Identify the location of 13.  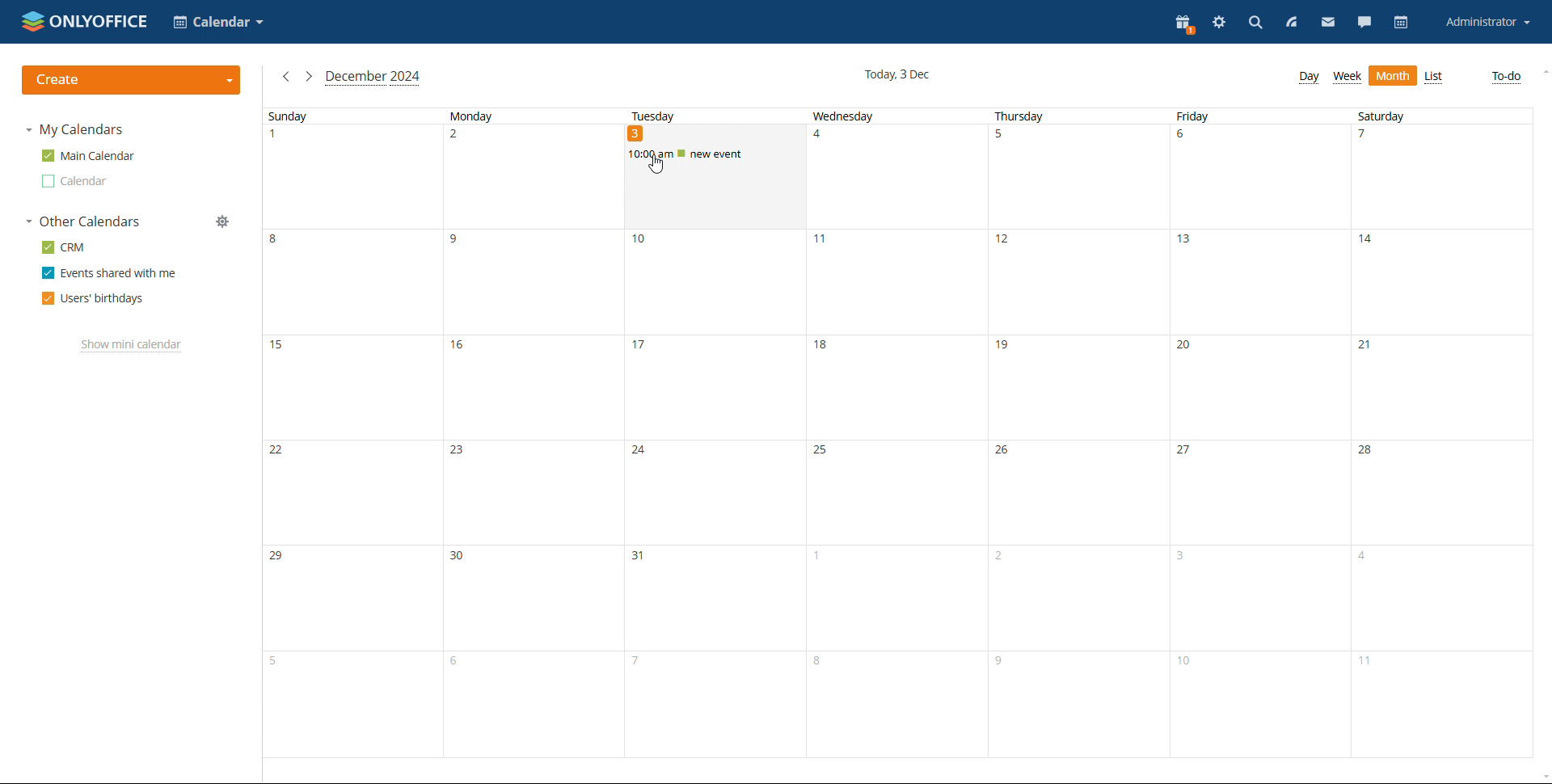
(1256, 282).